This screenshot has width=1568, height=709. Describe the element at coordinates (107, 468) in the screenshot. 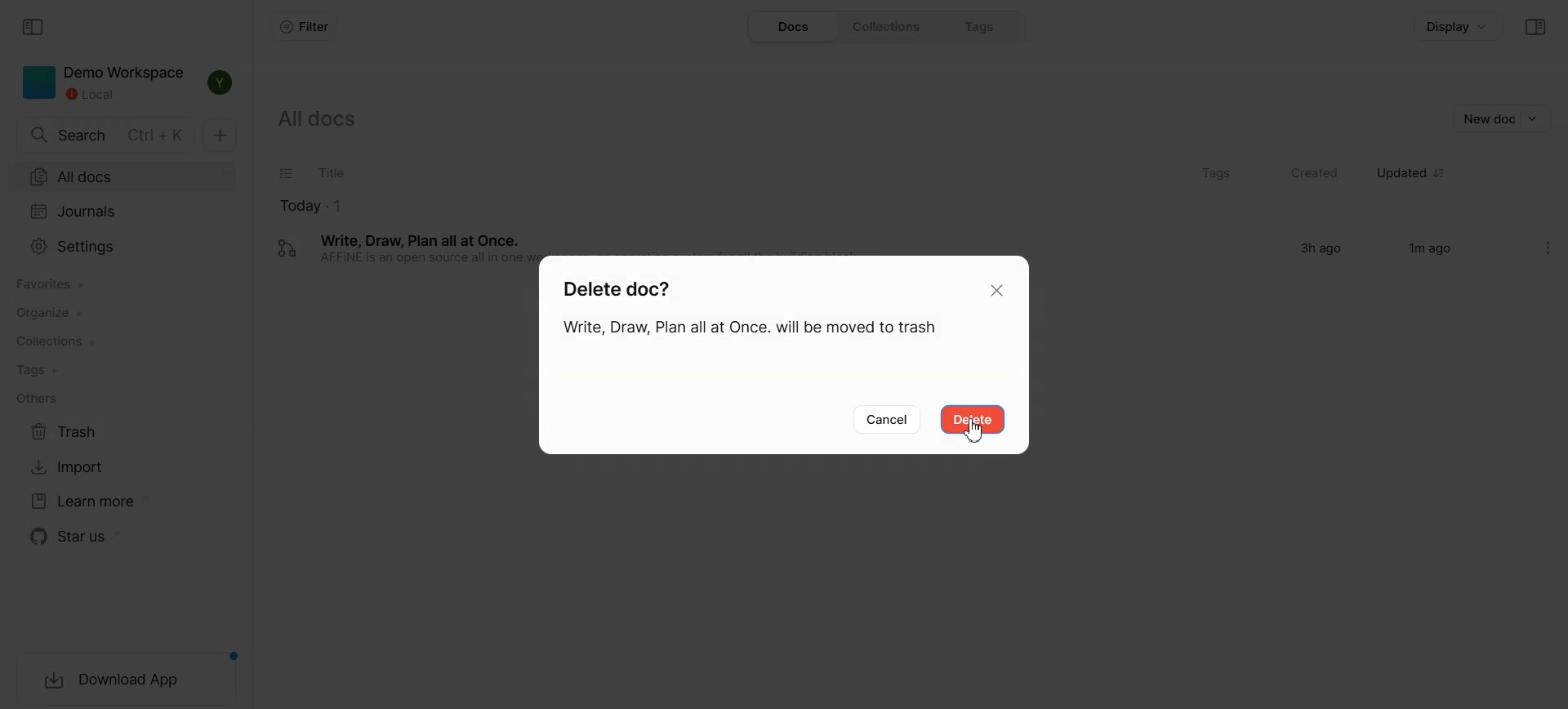

I see `Import` at that location.